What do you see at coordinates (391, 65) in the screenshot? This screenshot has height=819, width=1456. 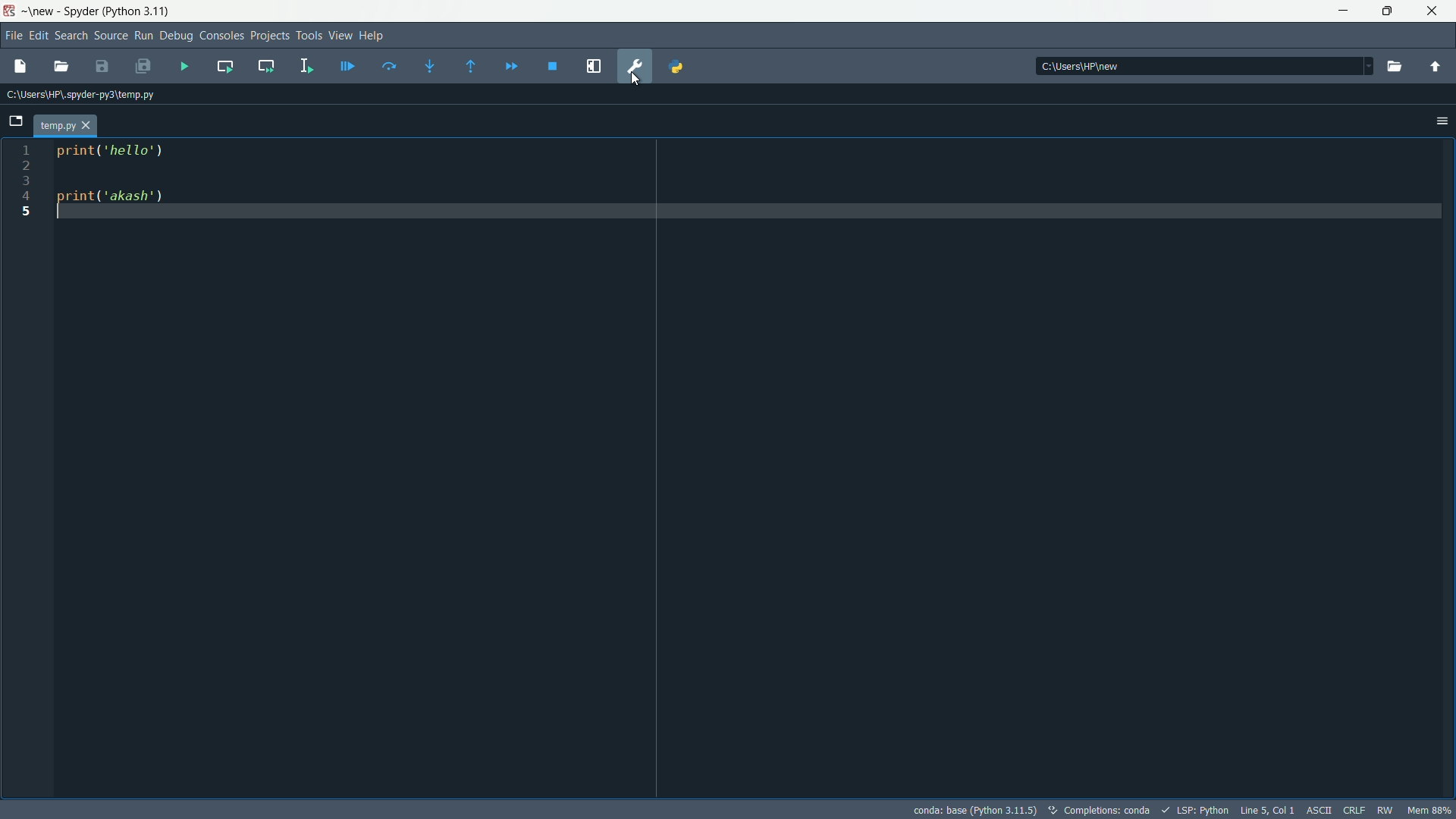 I see `run current line` at bounding box center [391, 65].